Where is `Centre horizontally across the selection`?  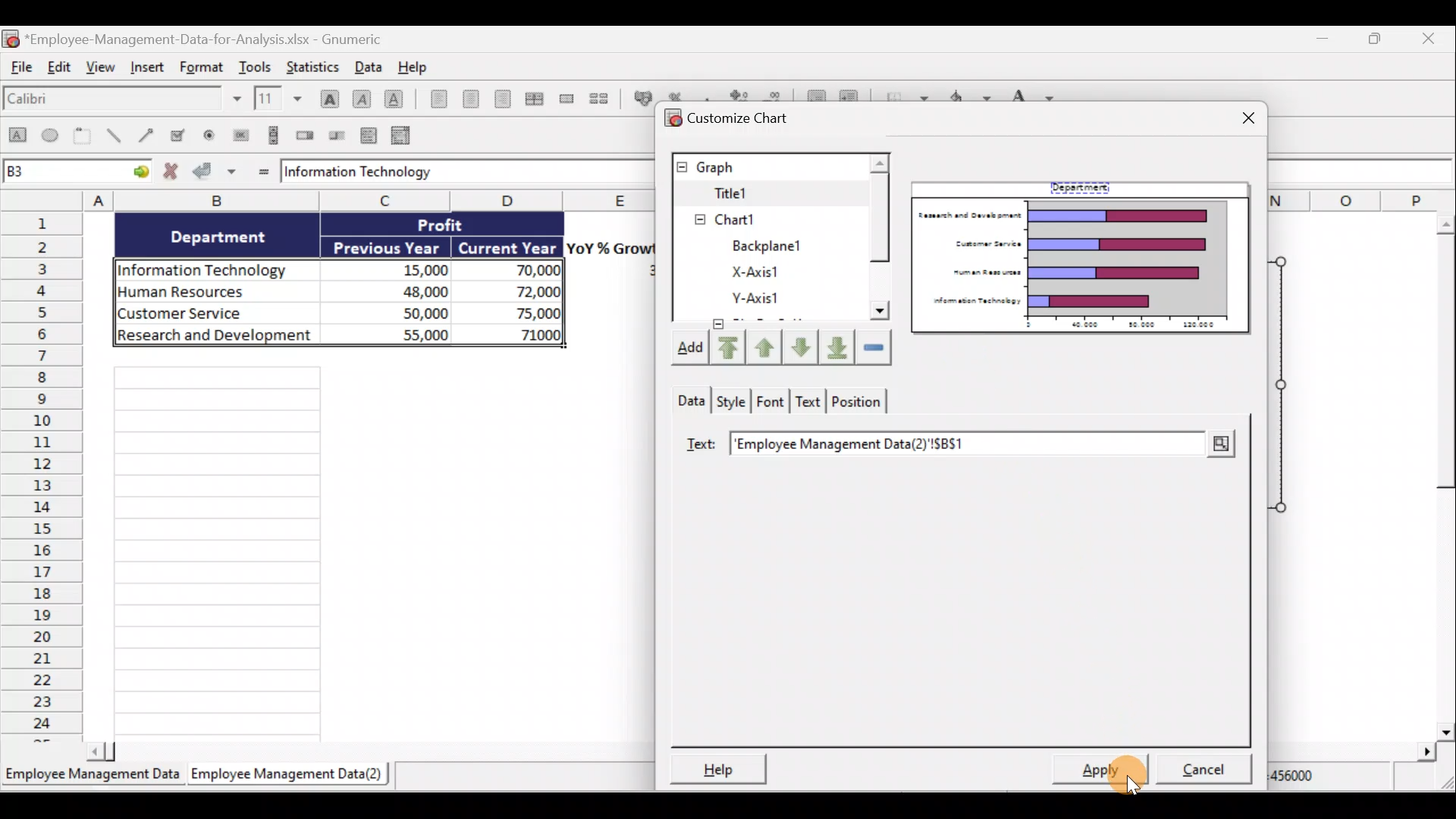 Centre horizontally across the selection is located at coordinates (534, 96).